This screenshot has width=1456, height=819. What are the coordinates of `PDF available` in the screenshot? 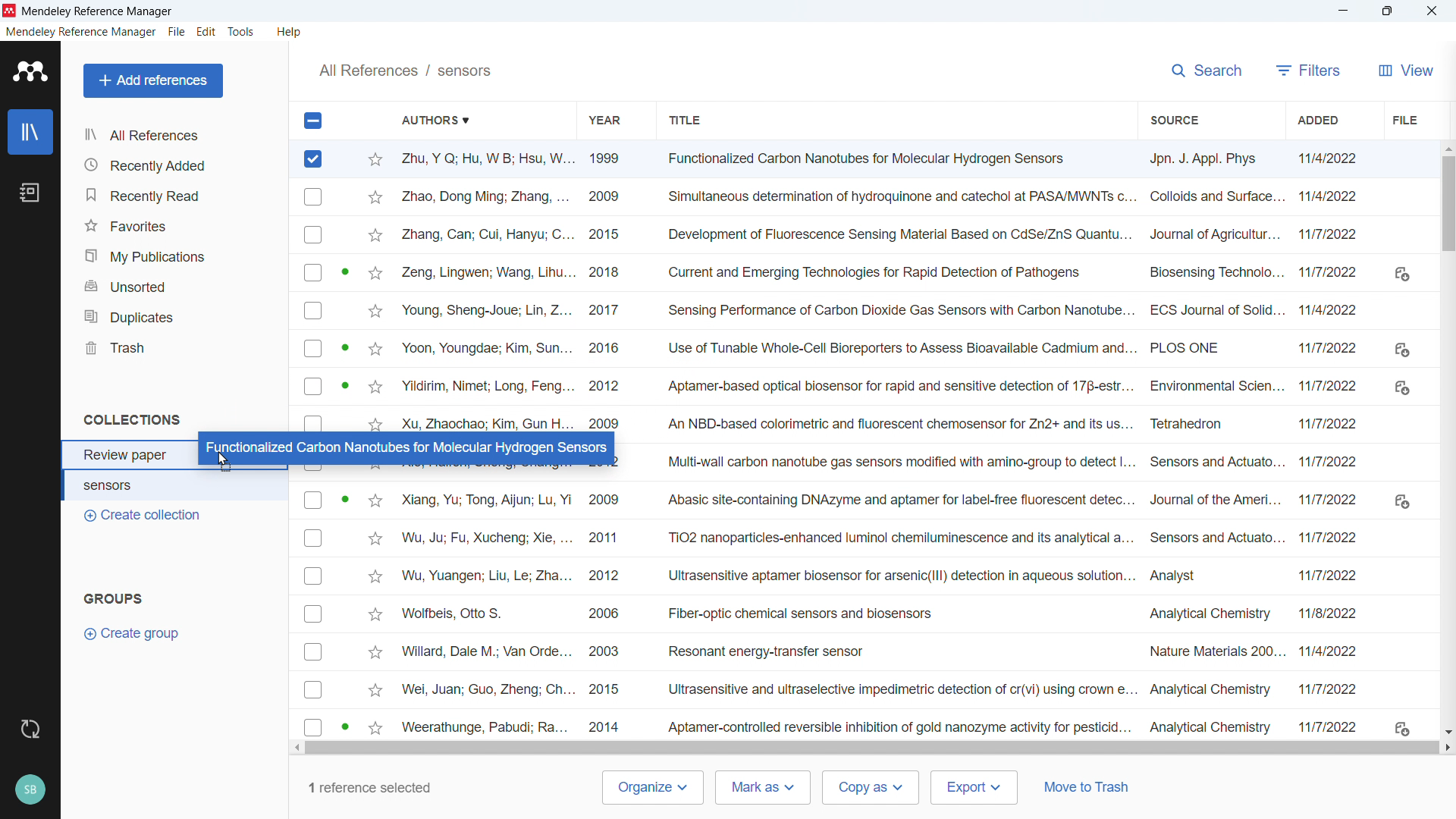 It's located at (346, 385).